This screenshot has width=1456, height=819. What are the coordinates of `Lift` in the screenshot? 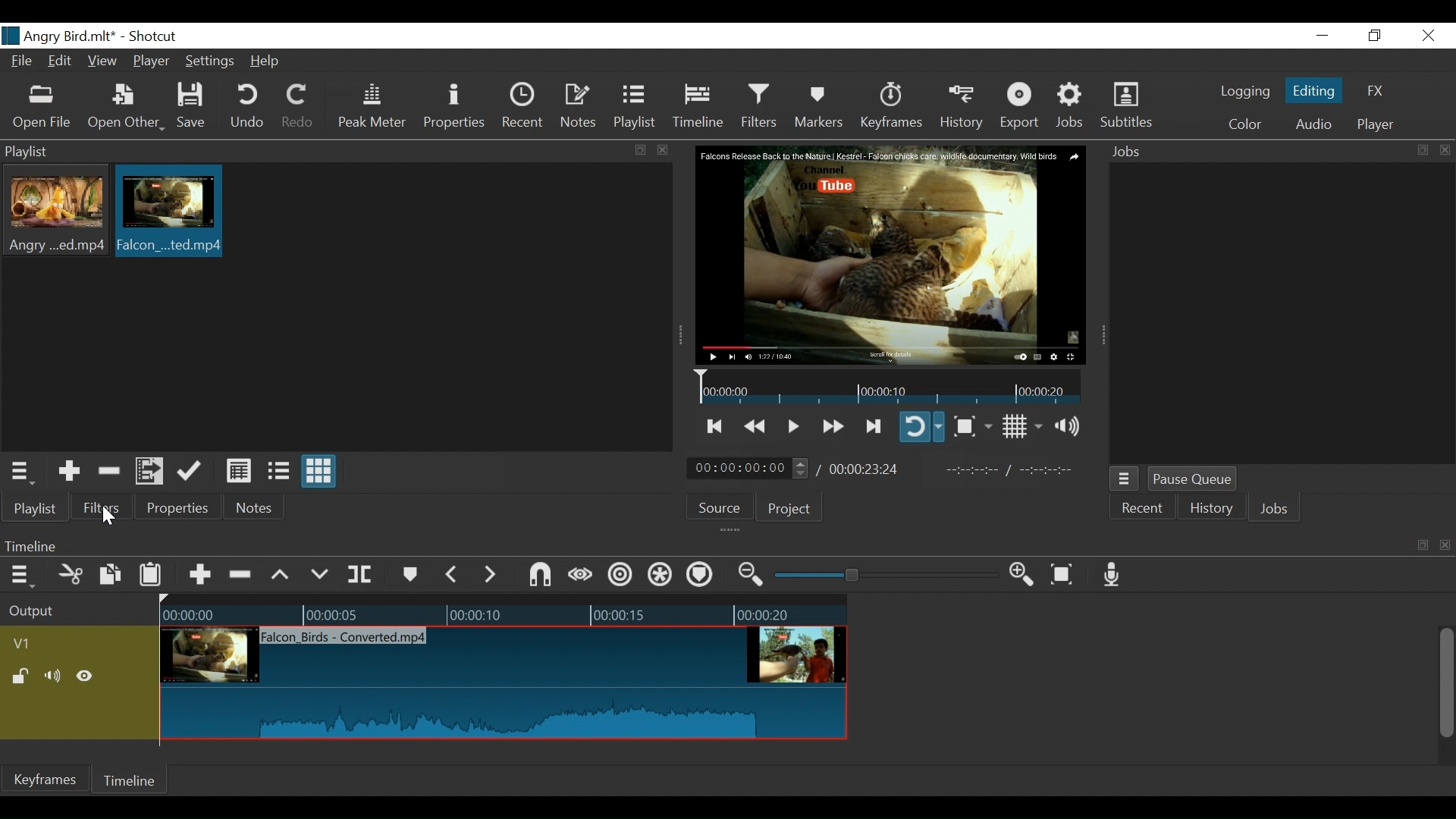 It's located at (283, 576).